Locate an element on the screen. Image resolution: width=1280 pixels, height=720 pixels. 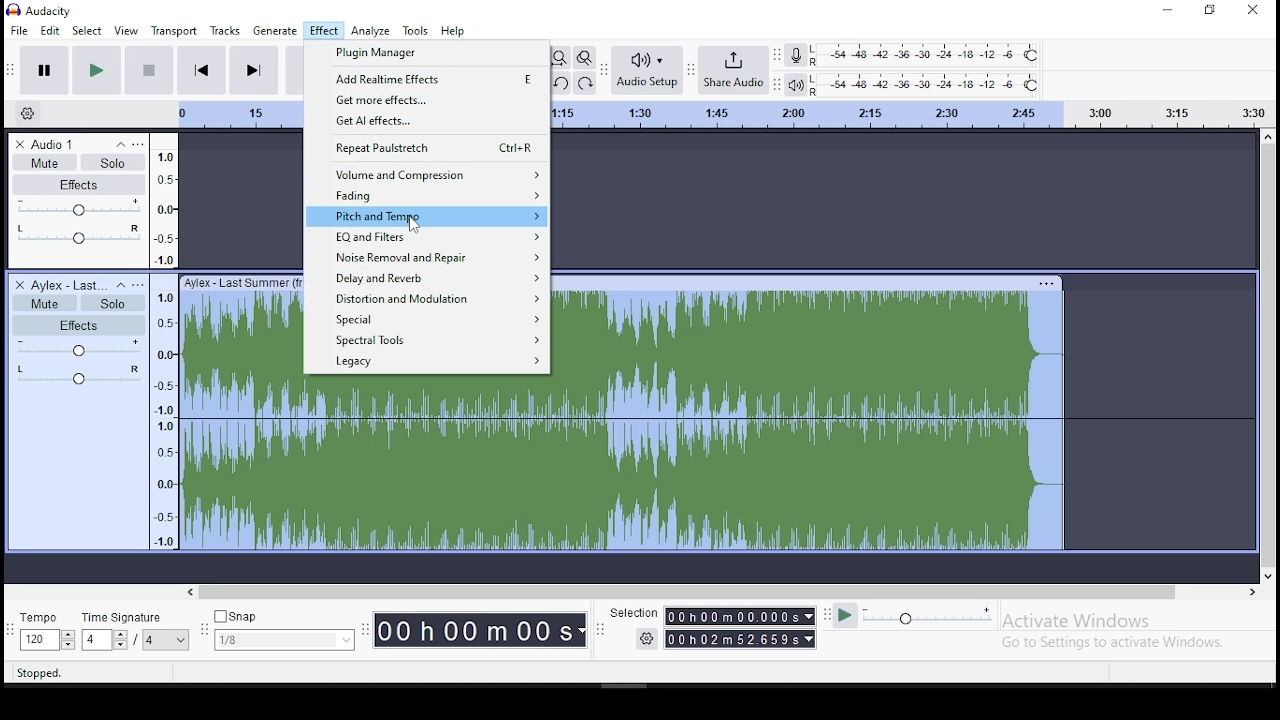
EQ and filters is located at coordinates (428, 238).